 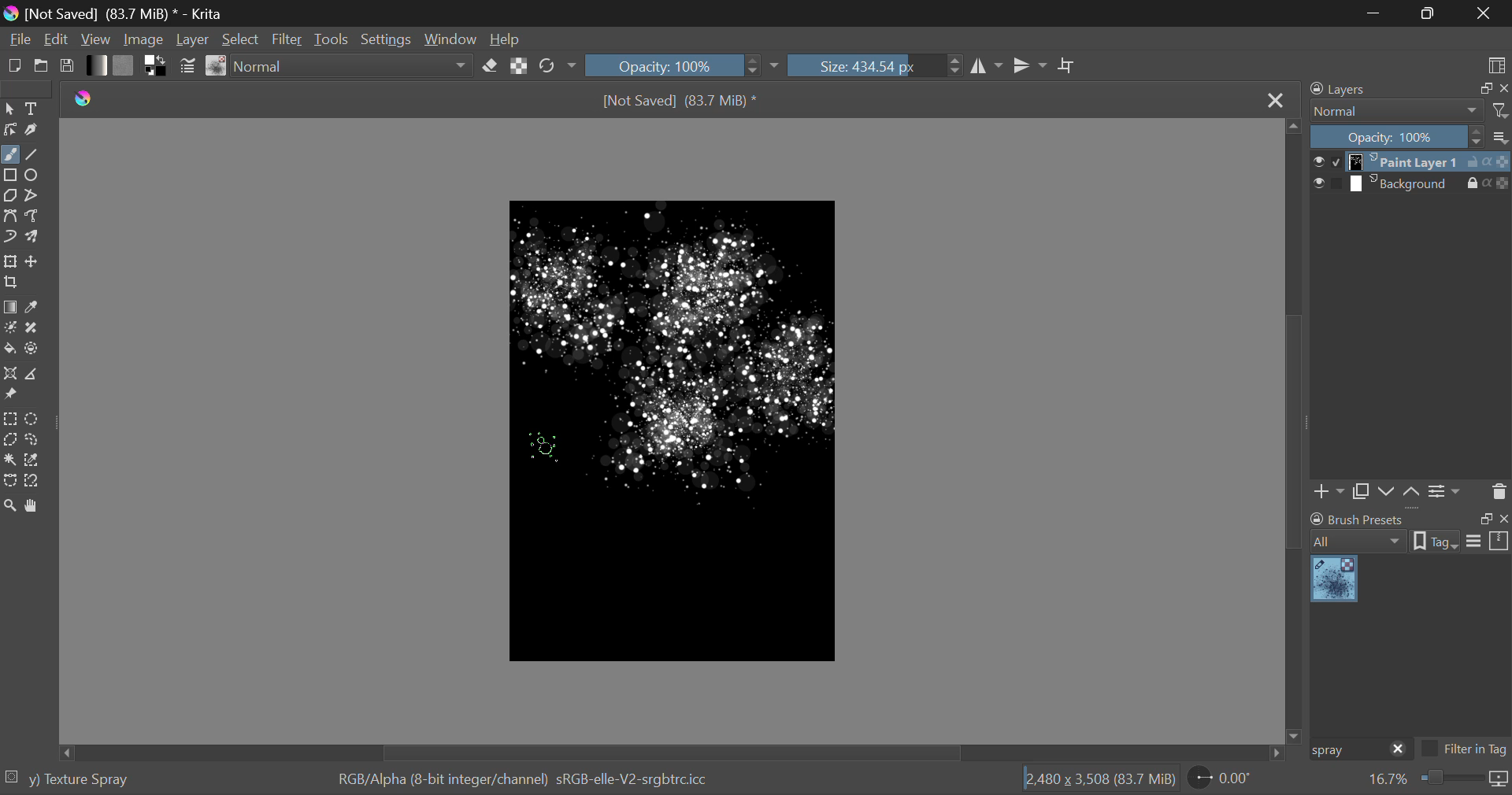 What do you see at coordinates (30, 375) in the screenshot?
I see `Measurements` at bounding box center [30, 375].